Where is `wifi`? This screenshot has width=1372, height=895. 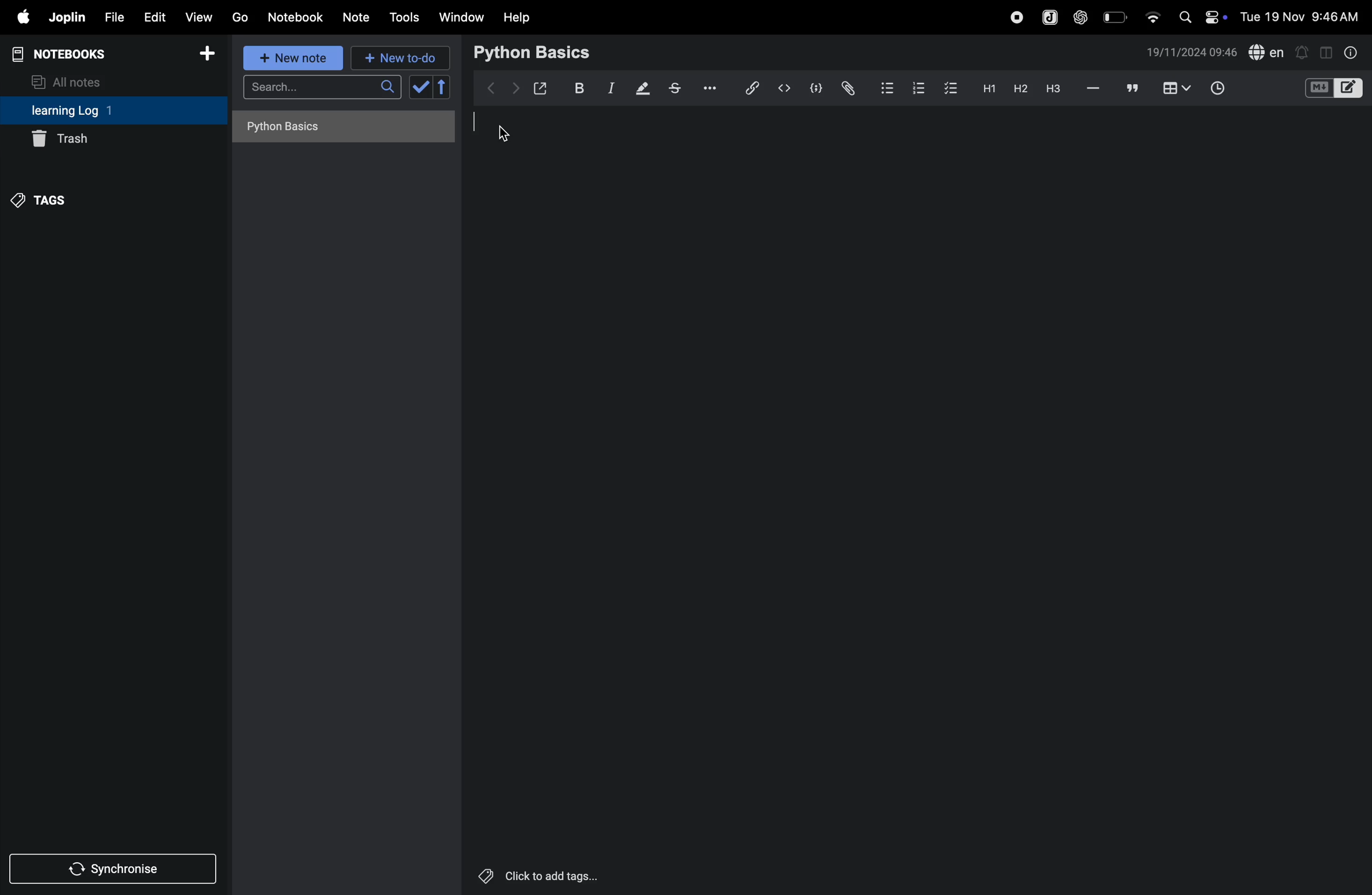 wifi is located at coordinates (1152, 13).